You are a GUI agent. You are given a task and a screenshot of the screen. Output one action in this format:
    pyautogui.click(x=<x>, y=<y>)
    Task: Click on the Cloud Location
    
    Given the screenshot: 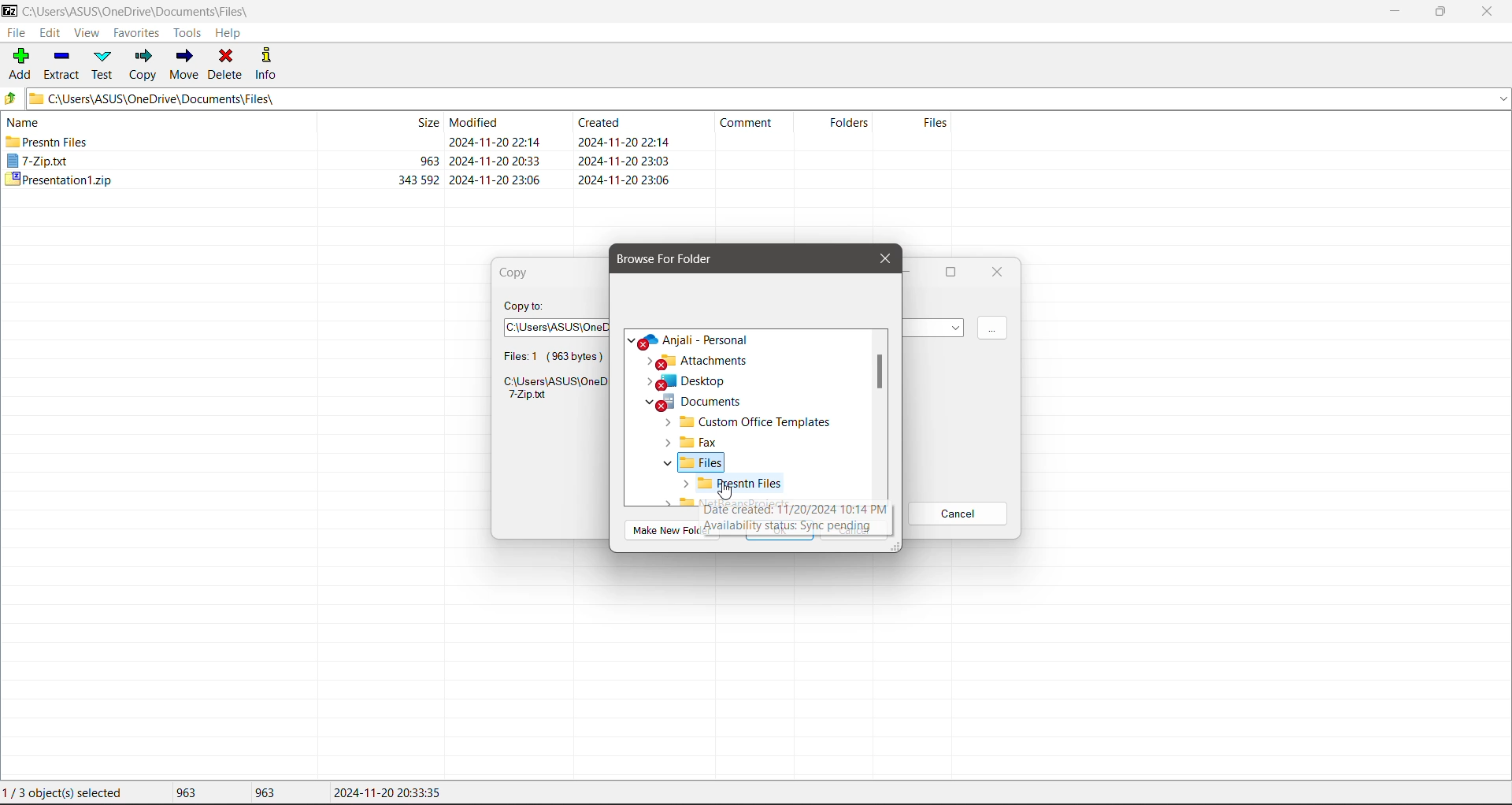 What is the action you would take?
    pyautogui.click(x=697, y=340)
    